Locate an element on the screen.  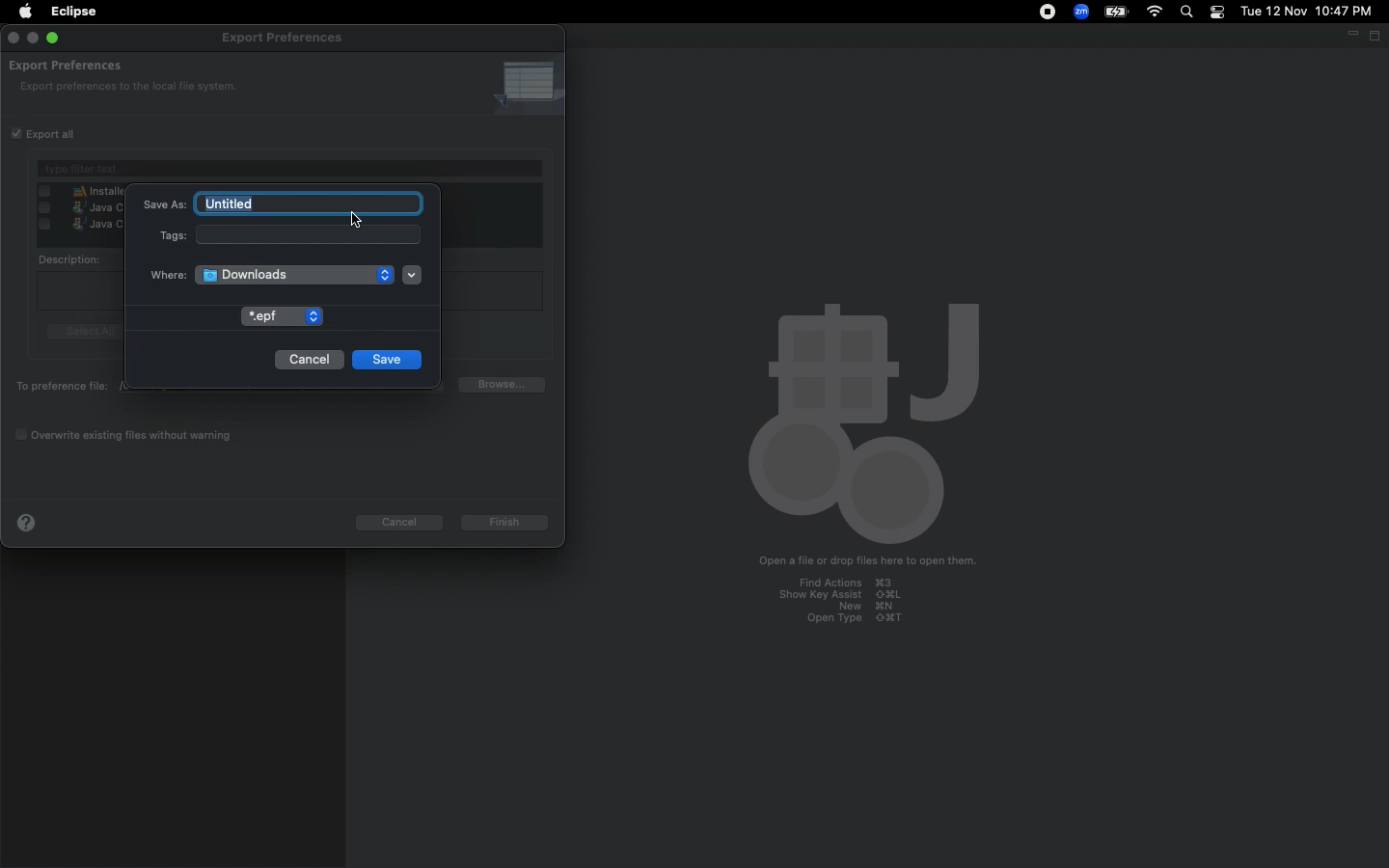
Cursor is located at coordinates (356, 220).